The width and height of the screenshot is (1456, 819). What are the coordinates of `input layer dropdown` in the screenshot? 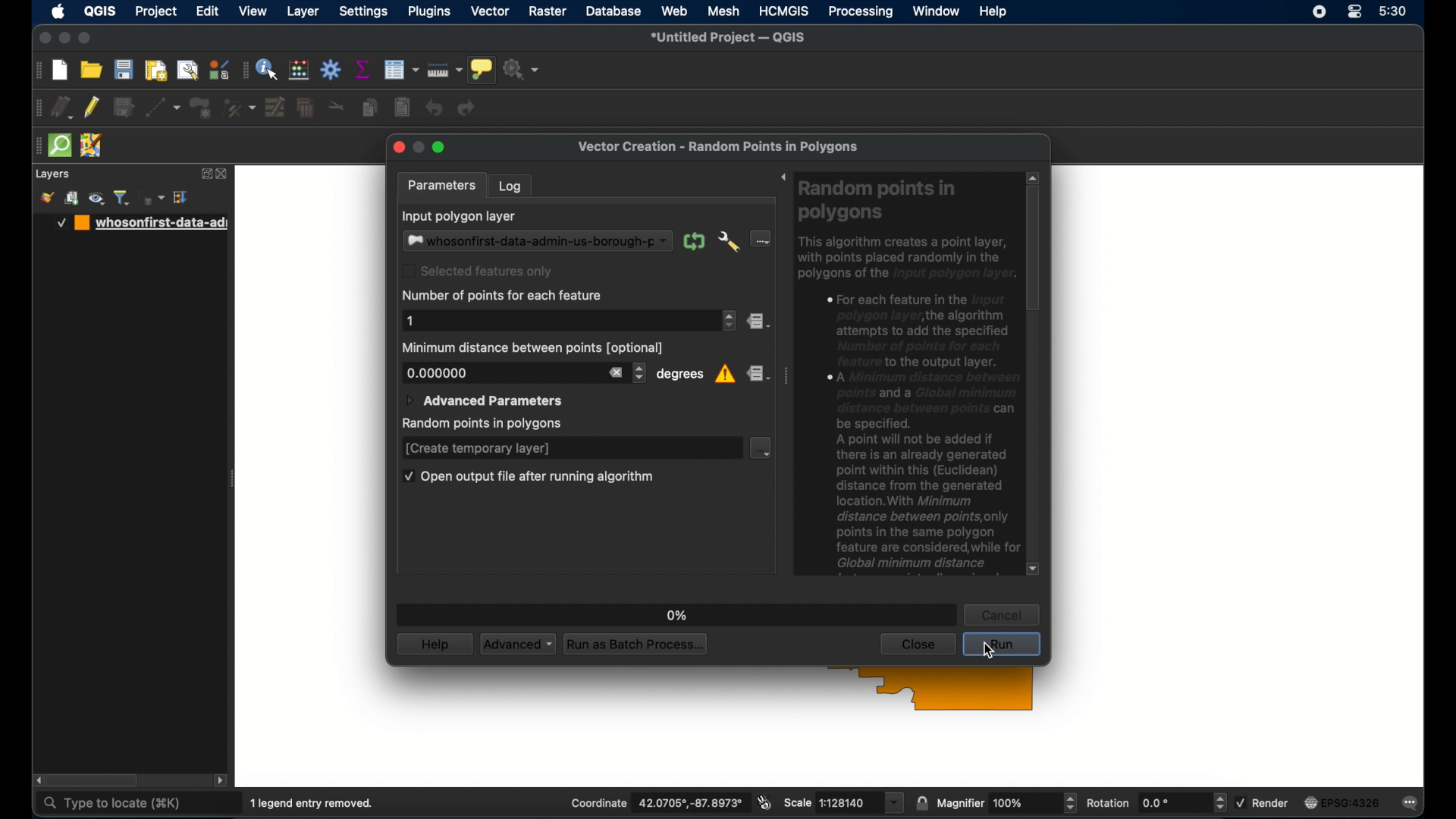 It's located at (537, 240).